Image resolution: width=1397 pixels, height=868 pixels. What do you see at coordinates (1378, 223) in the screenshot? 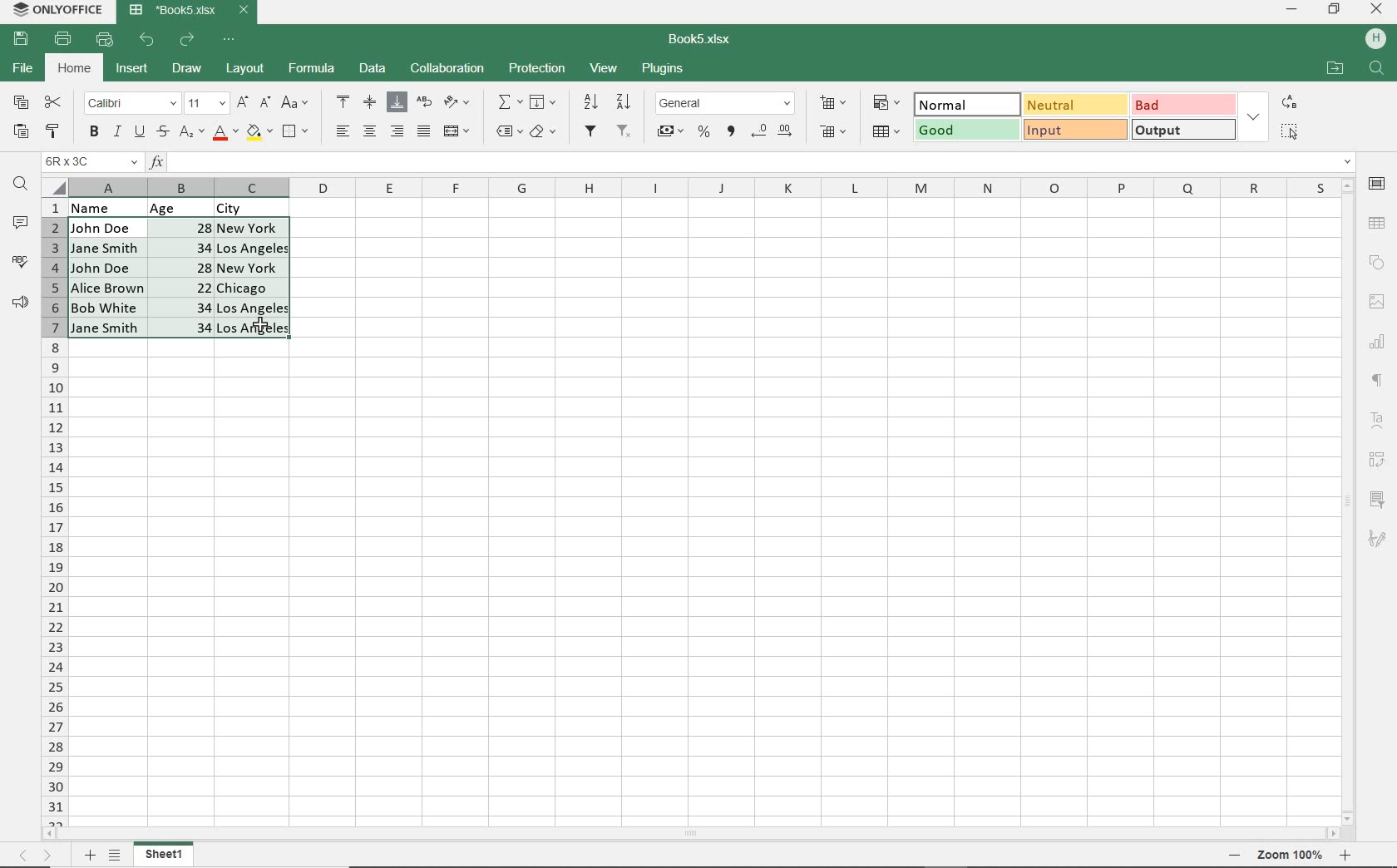
I see `TABLE` at bounding box center [1378, 223].